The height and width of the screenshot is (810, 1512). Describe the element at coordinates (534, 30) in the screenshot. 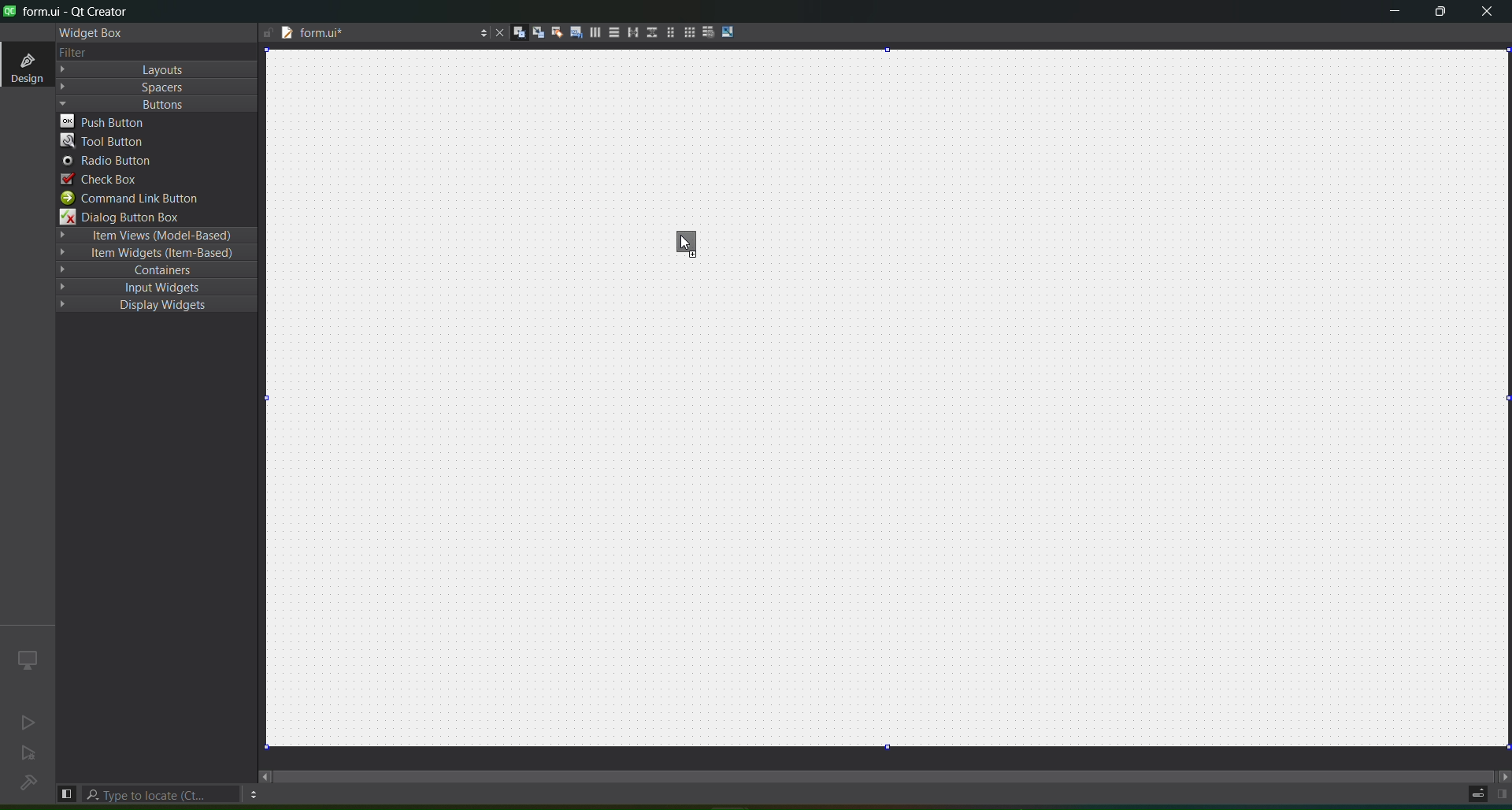

I see `edit signal slots` at that location.